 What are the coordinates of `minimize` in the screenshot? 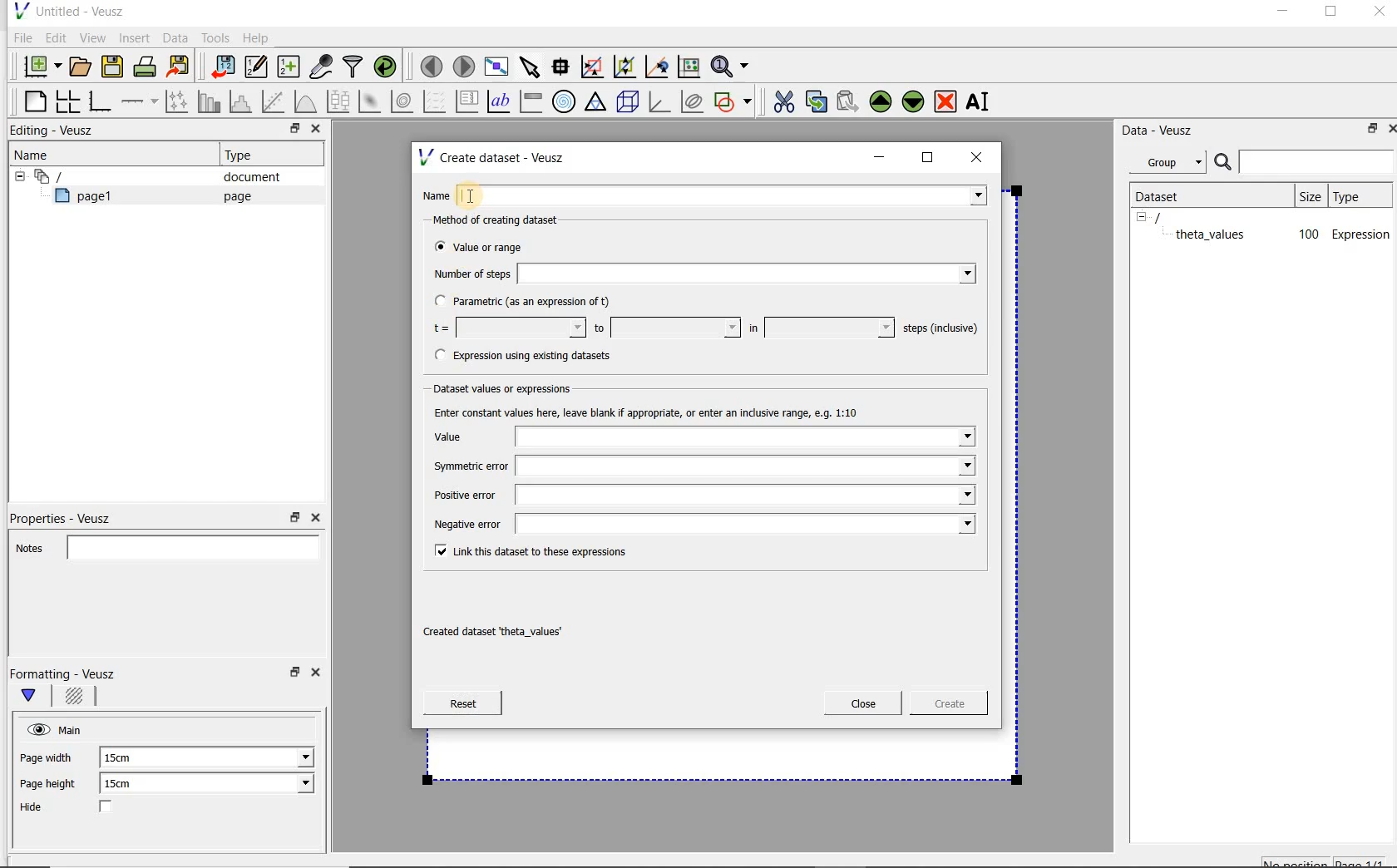 It's located at (1281, 13).